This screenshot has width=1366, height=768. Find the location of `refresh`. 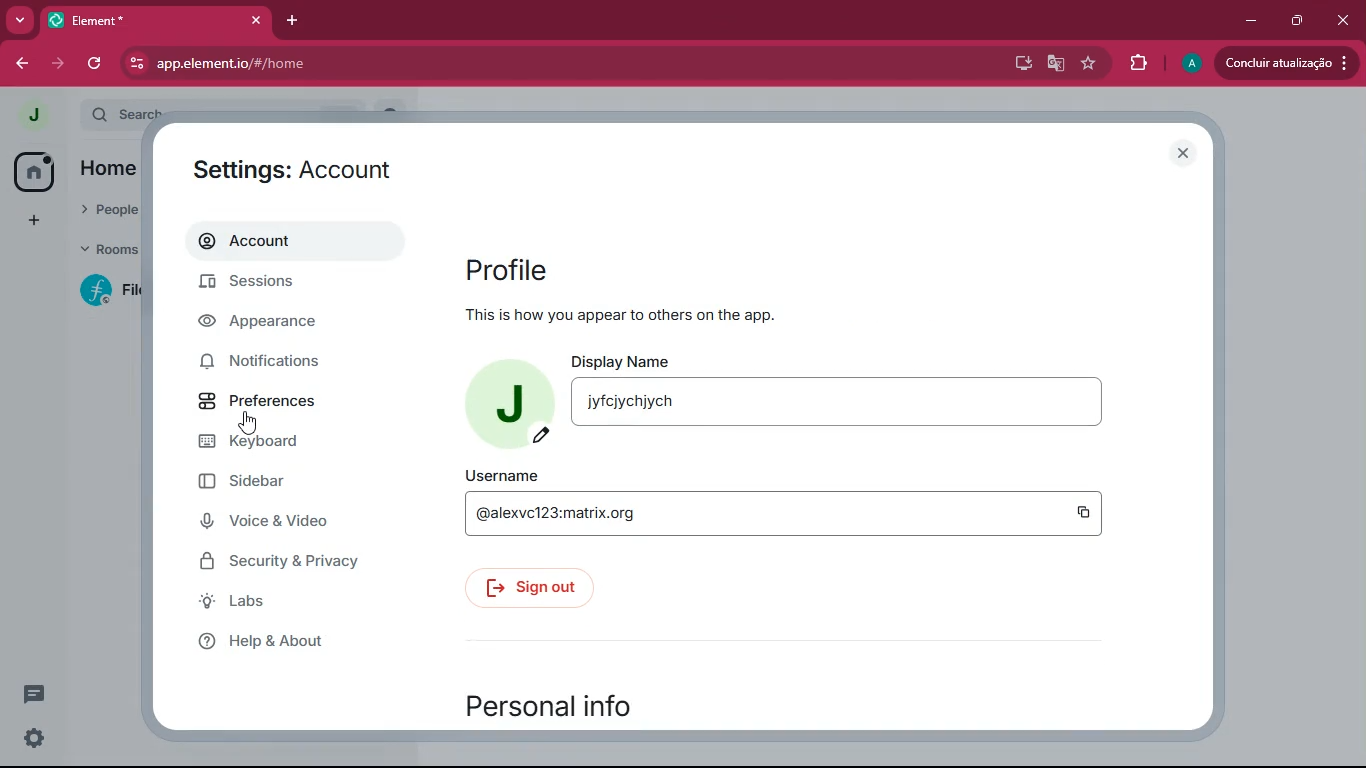

refresh is located at coordinates (97, 63).